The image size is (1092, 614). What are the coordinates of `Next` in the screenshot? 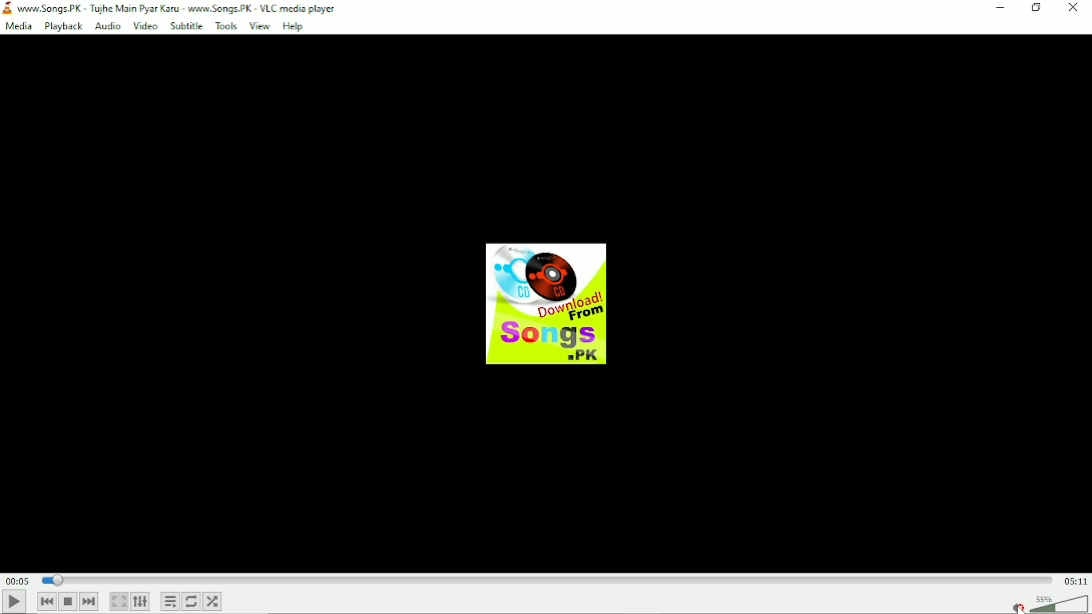 It's located at (91, 601).